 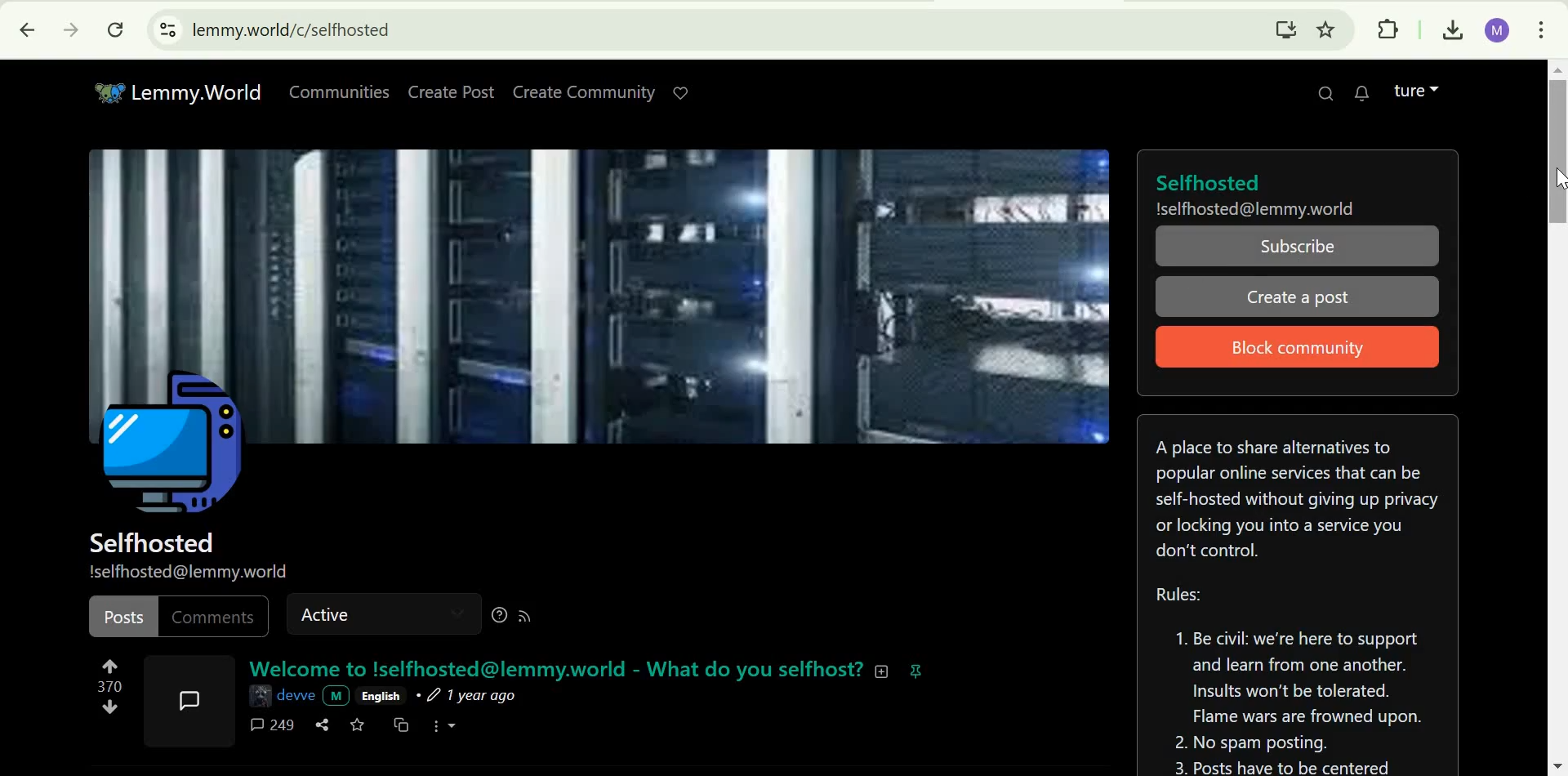 What do you see at coordinates (178, 93) in the screenshot?
I see `Lemmy.world` at bounding box center [178, 93].